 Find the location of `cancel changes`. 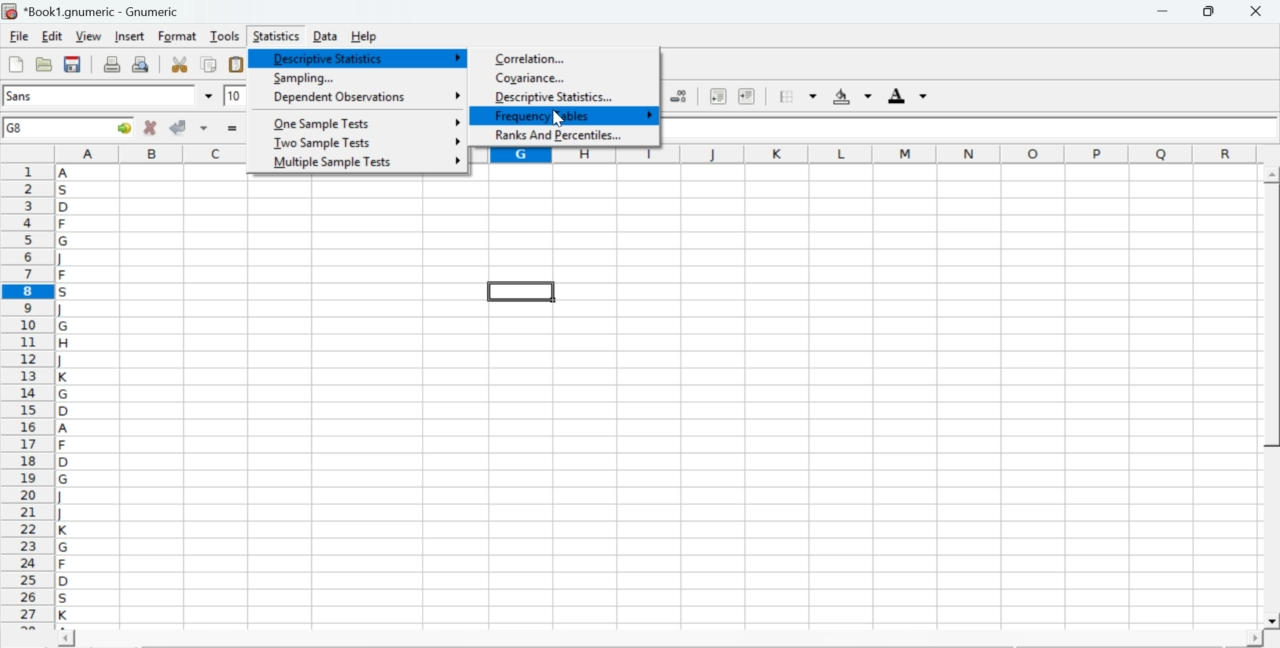

cancel changes is located at coordinates (151, 127).